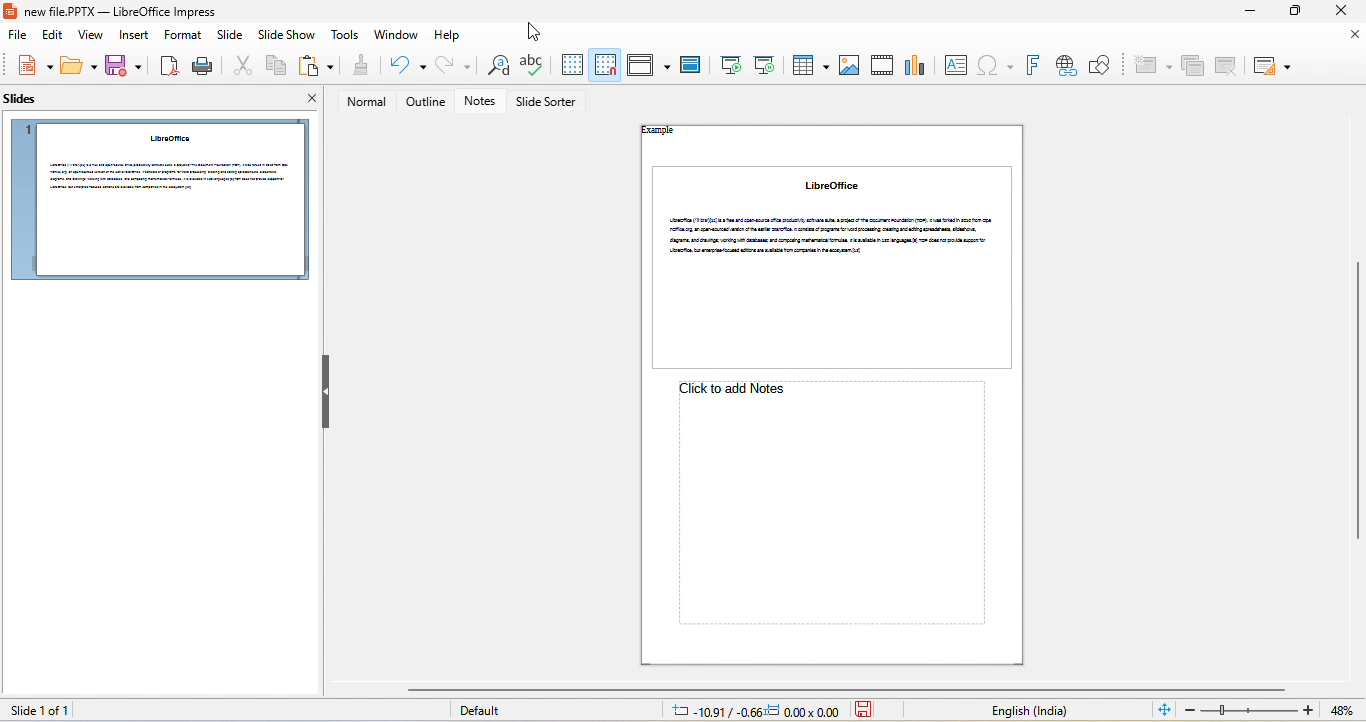 The height and width of the screenshot is (722, 1366). Describe the element at coordinates (549, 103) in the screenshot. I see `slide sorter` at that location.